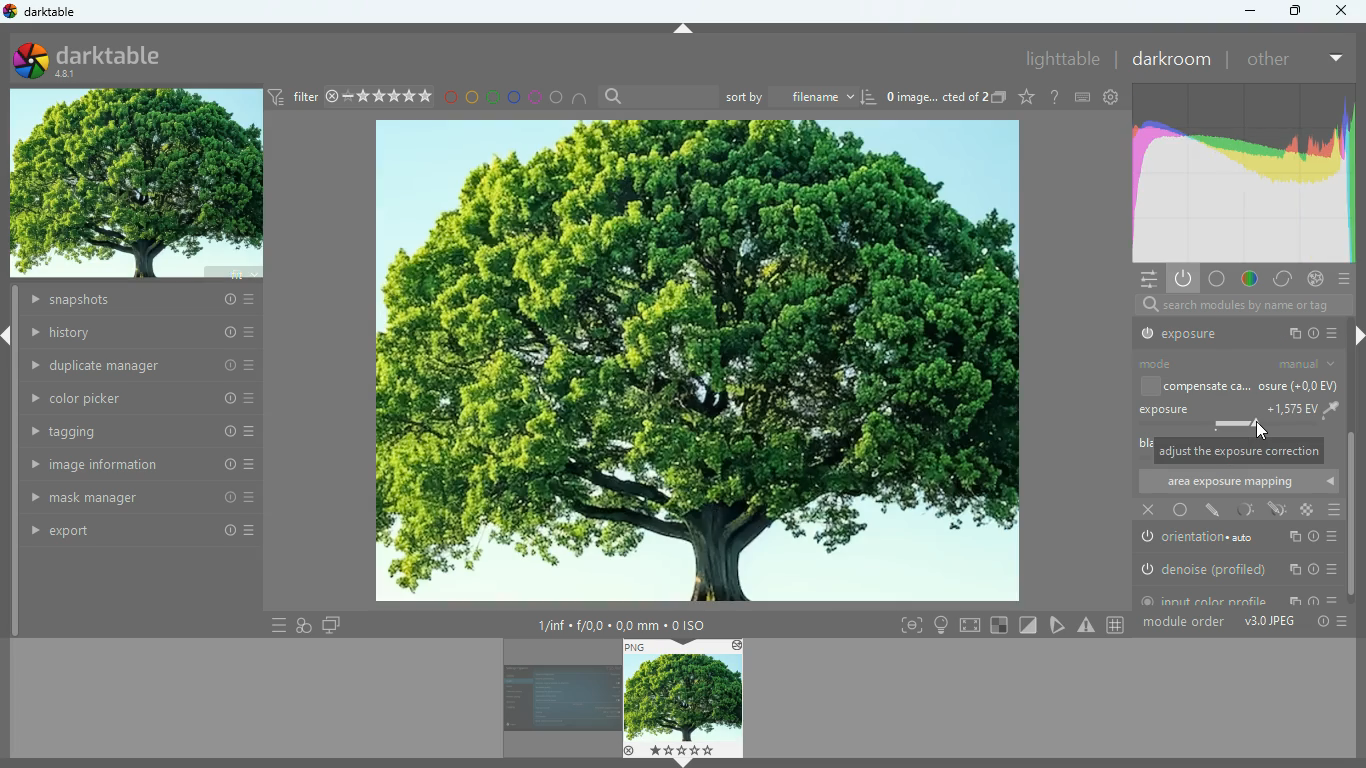  Describe the element at coordinates (1308, 510) in the screenshot. I see `color` at that location.